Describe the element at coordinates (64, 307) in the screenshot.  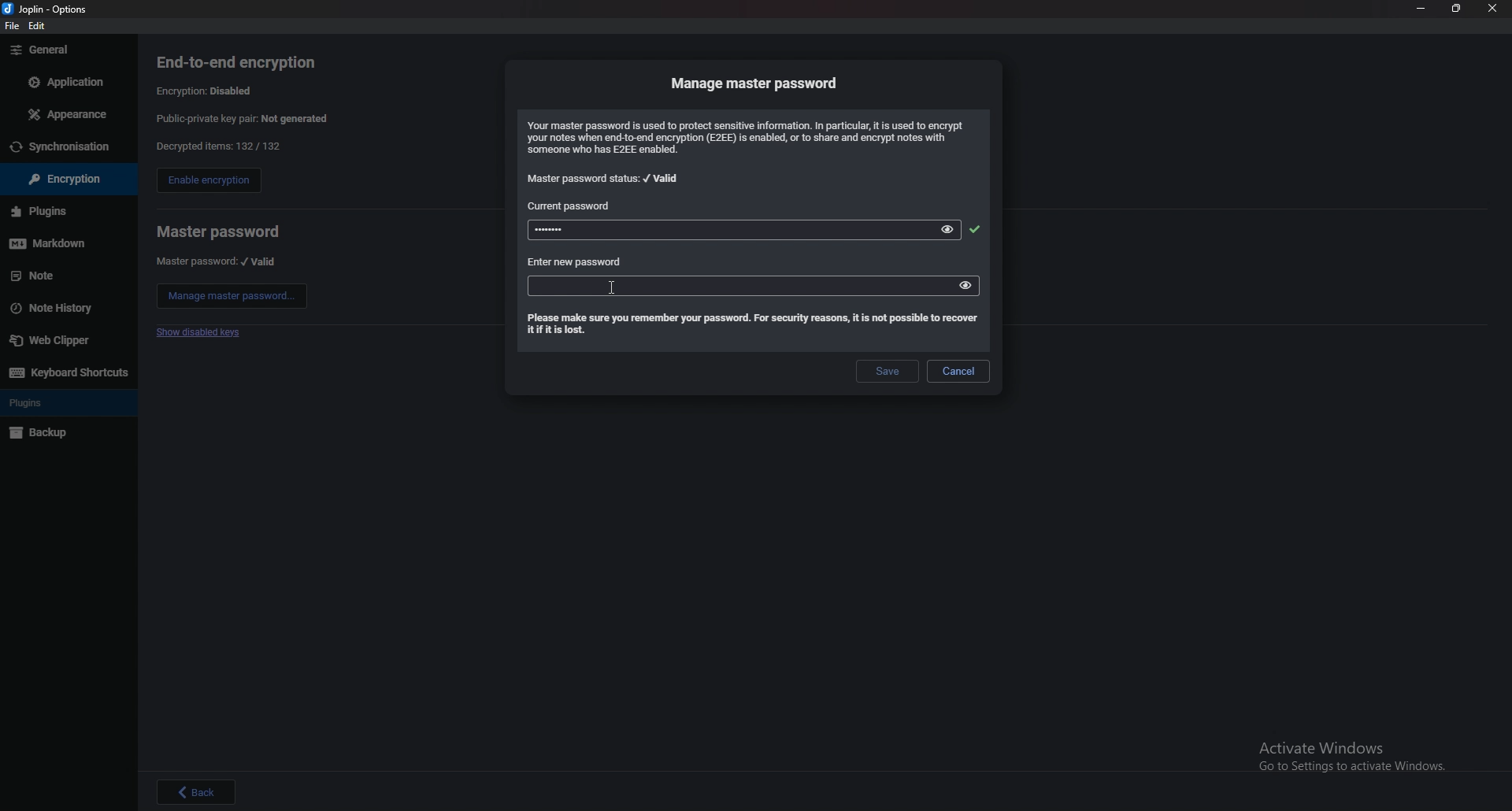
I see `note history` at that location.